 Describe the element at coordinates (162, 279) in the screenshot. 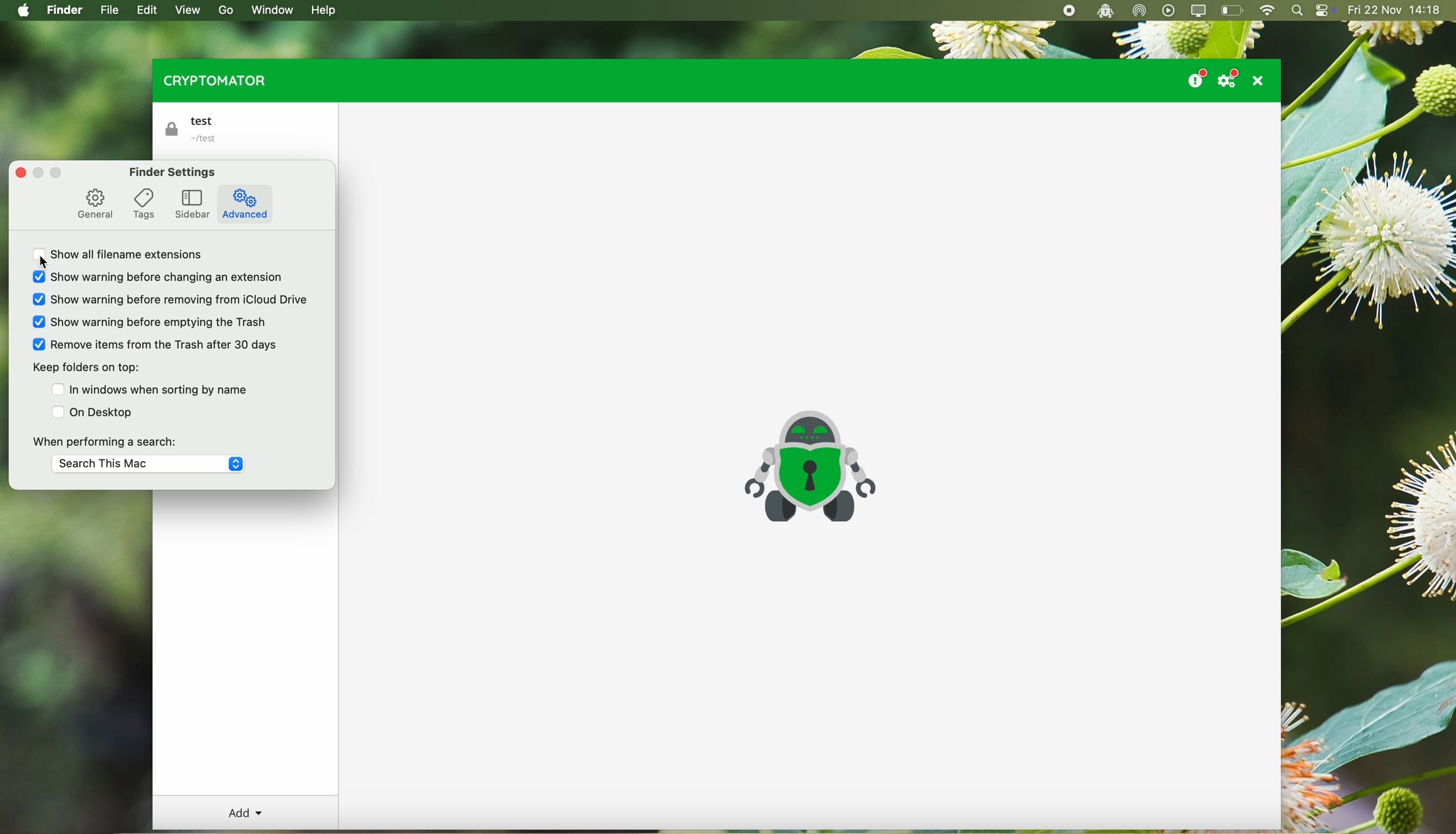

I see `show warning before changing an extension` at that location.